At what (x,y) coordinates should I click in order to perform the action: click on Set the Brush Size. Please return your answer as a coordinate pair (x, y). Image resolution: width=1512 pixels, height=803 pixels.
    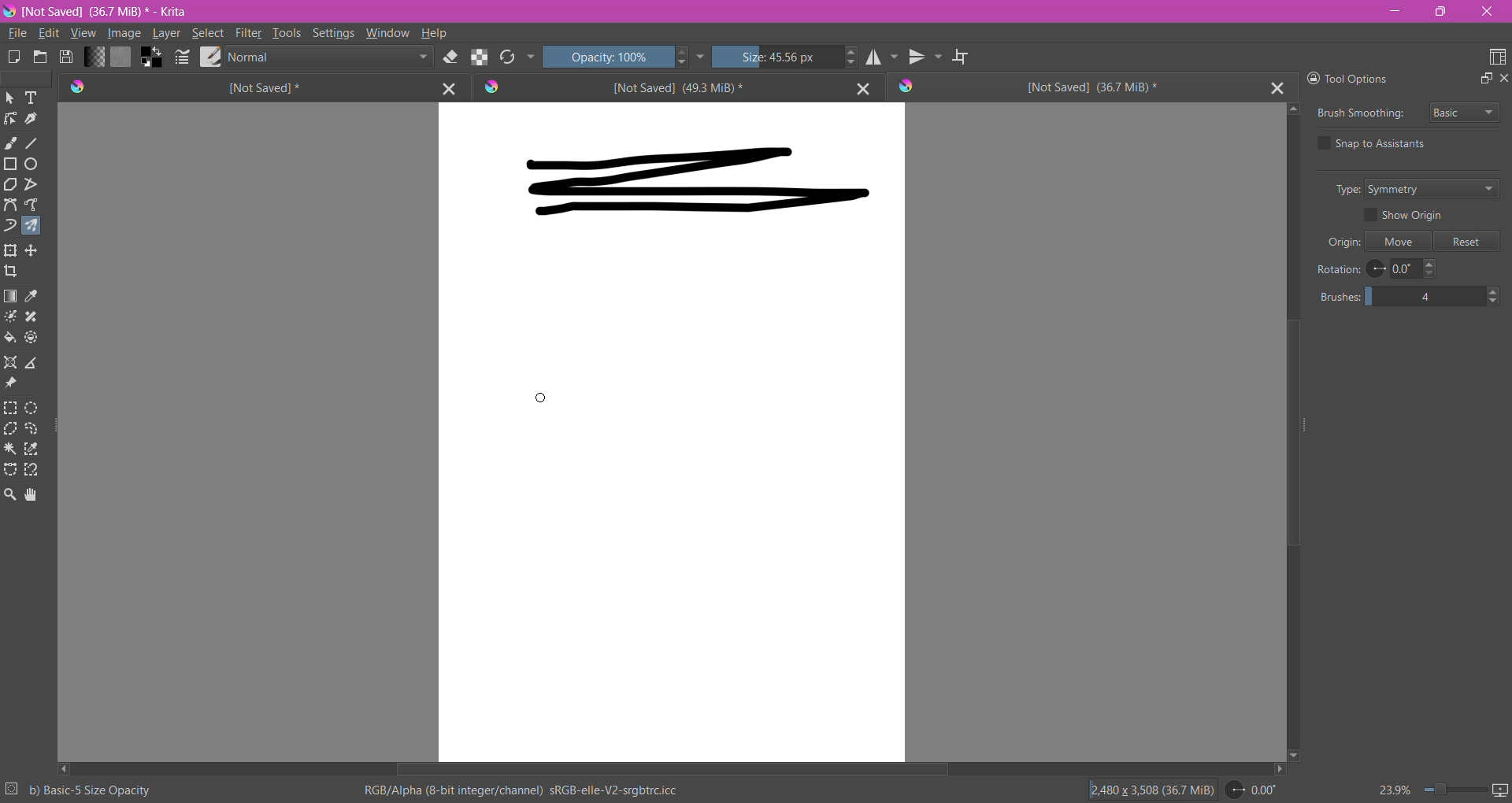
    Looking at the image, I should click on (776, 57).